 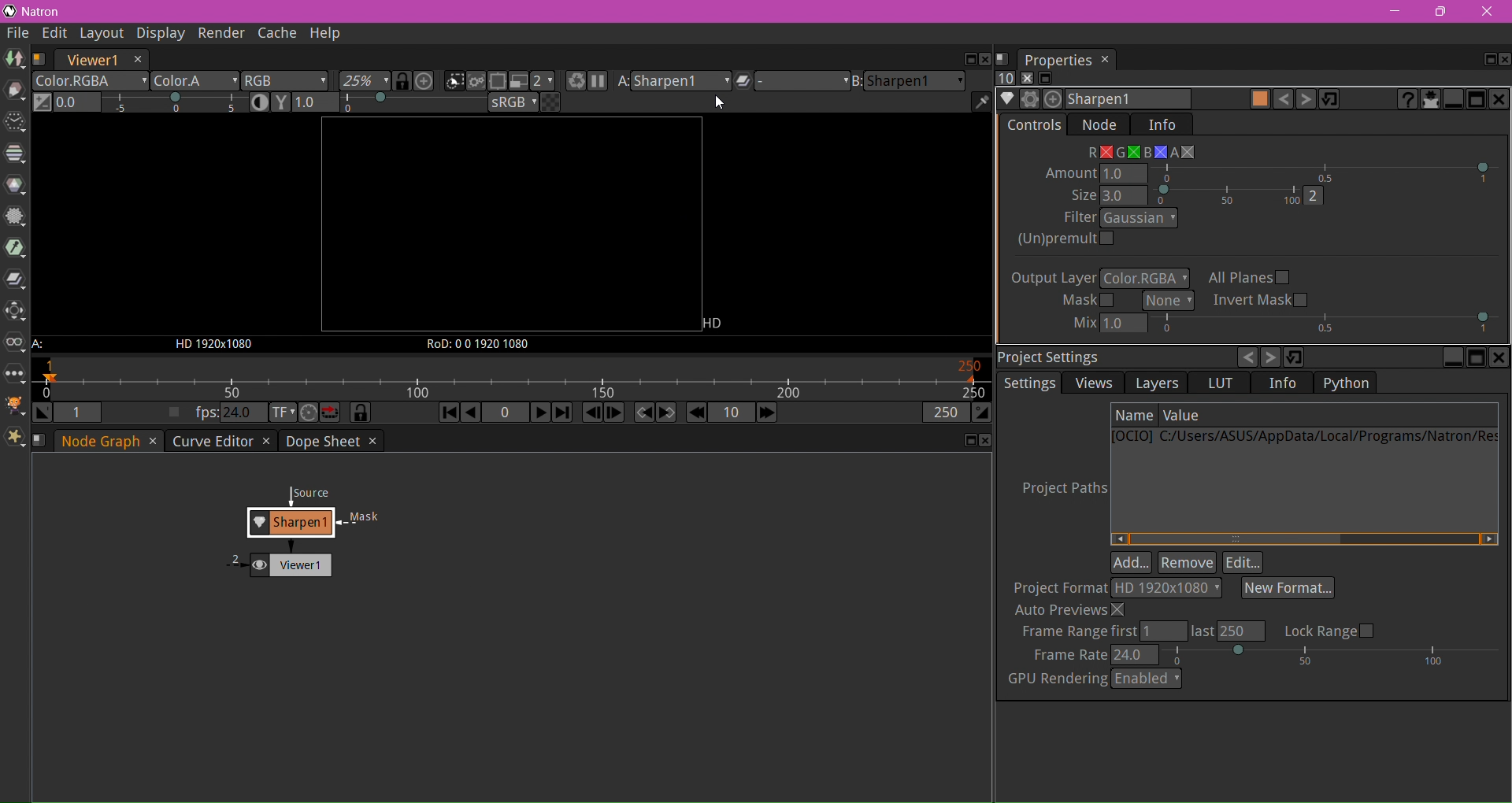 I want to click on Output layer, so click(x=1054, y=278).